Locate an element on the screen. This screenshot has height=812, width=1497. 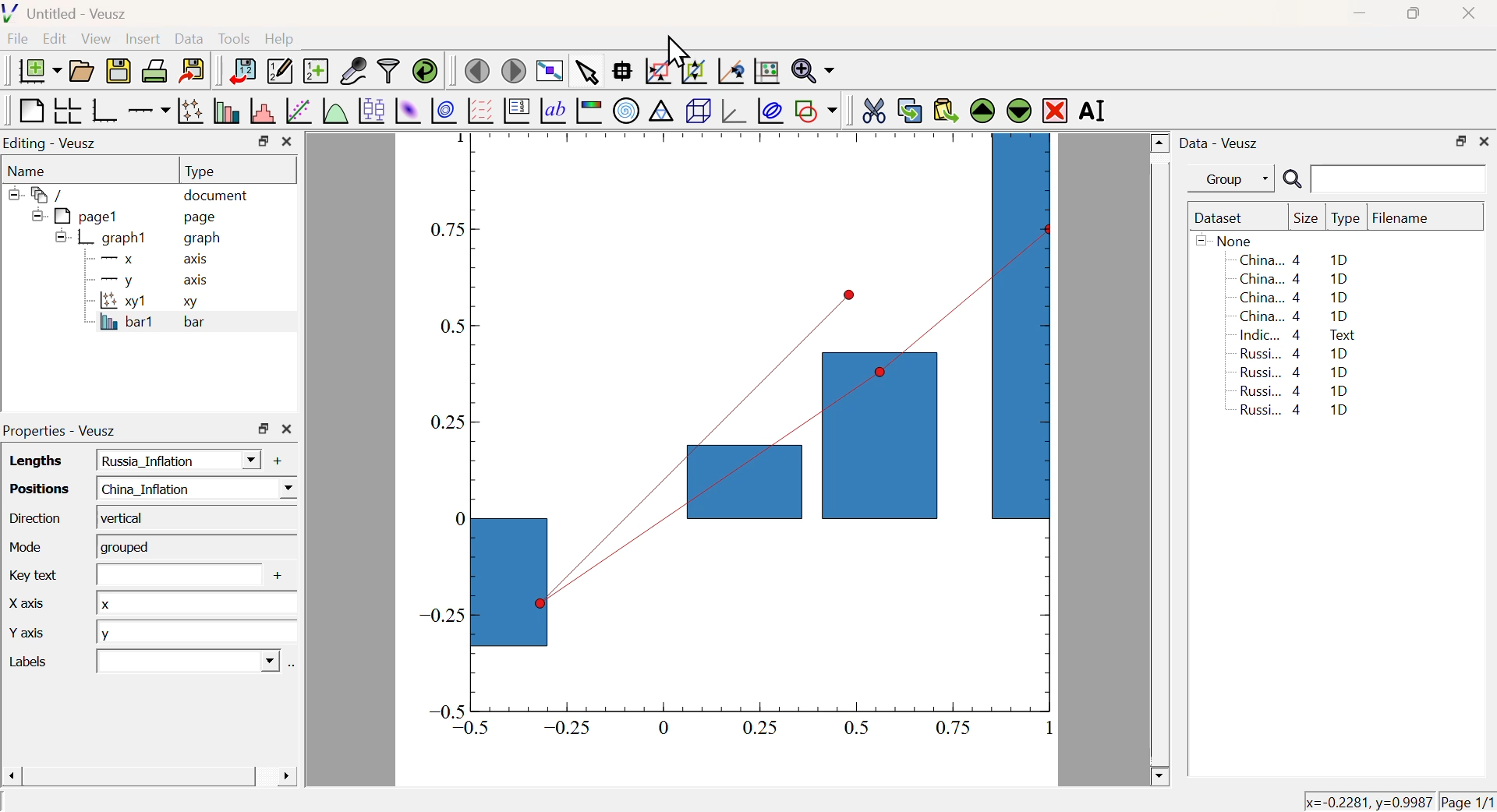
China_Inflation is located at coordinates (189, 487).